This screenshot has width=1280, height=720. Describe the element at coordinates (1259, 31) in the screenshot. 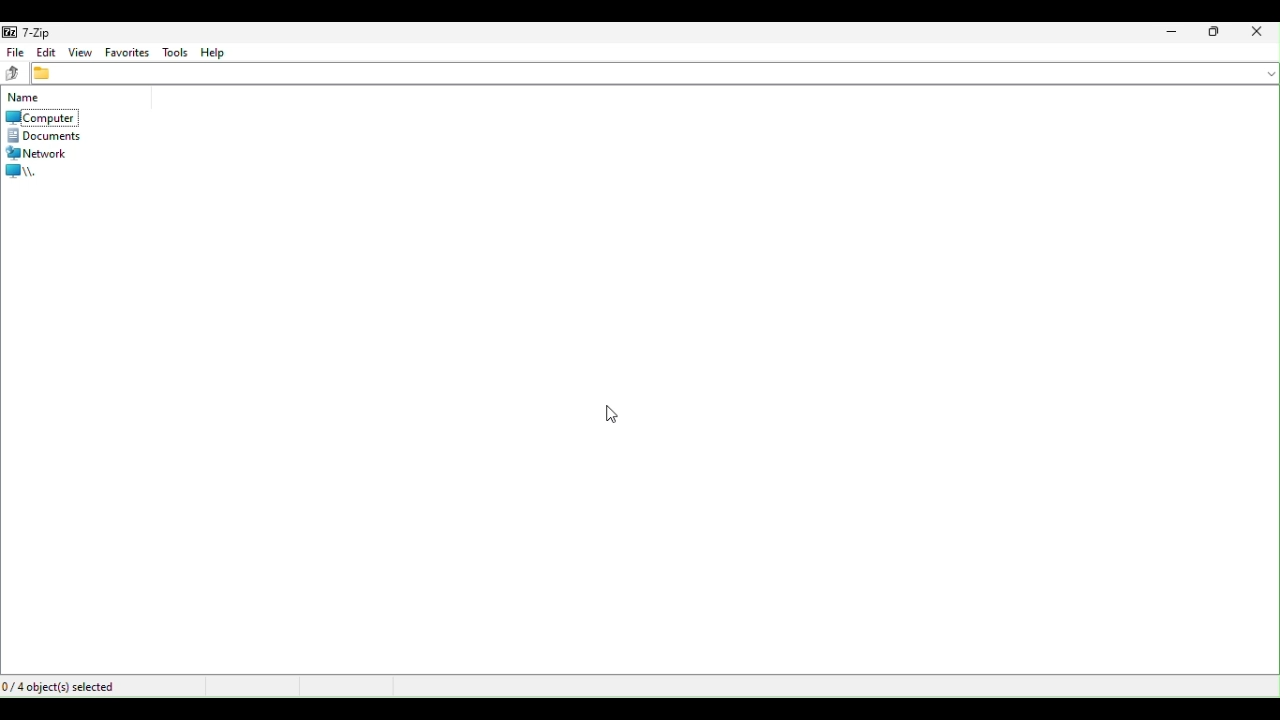

I see `Close` at that location.